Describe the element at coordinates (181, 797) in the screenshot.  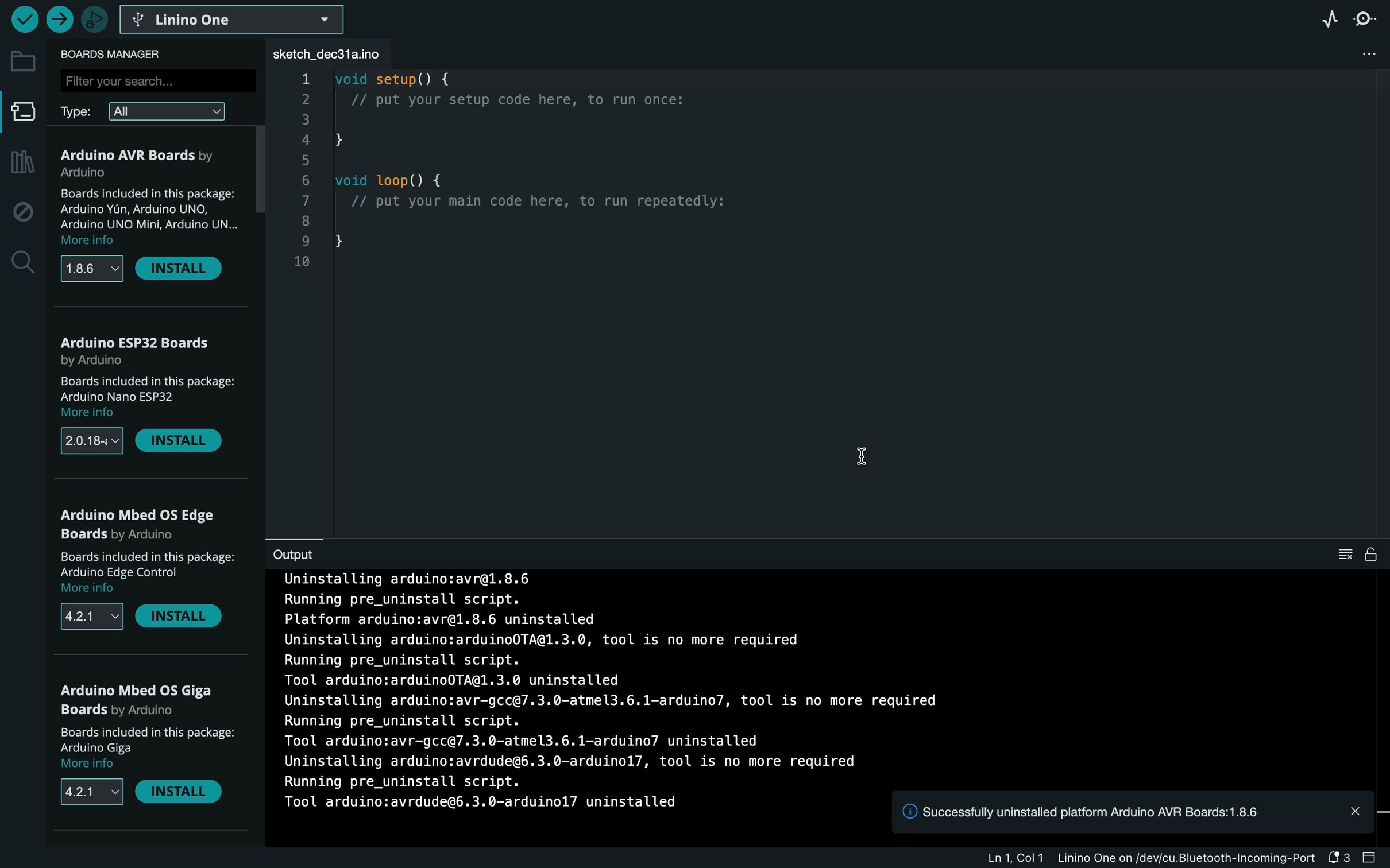
I see `install` at that location.